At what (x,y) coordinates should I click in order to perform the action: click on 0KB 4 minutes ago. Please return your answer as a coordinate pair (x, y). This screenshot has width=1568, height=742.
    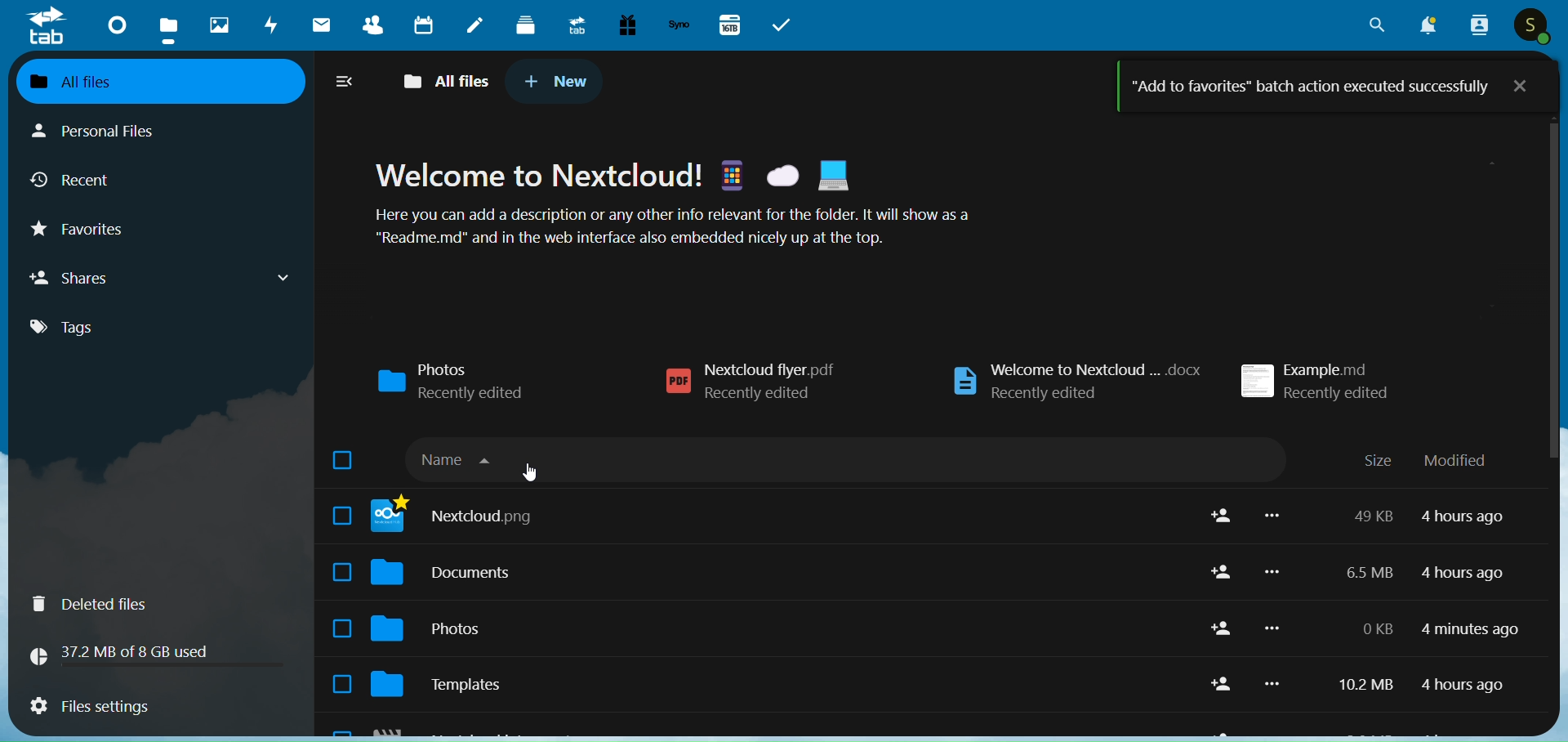
    Looking at the image, I should click on (1438, 629).